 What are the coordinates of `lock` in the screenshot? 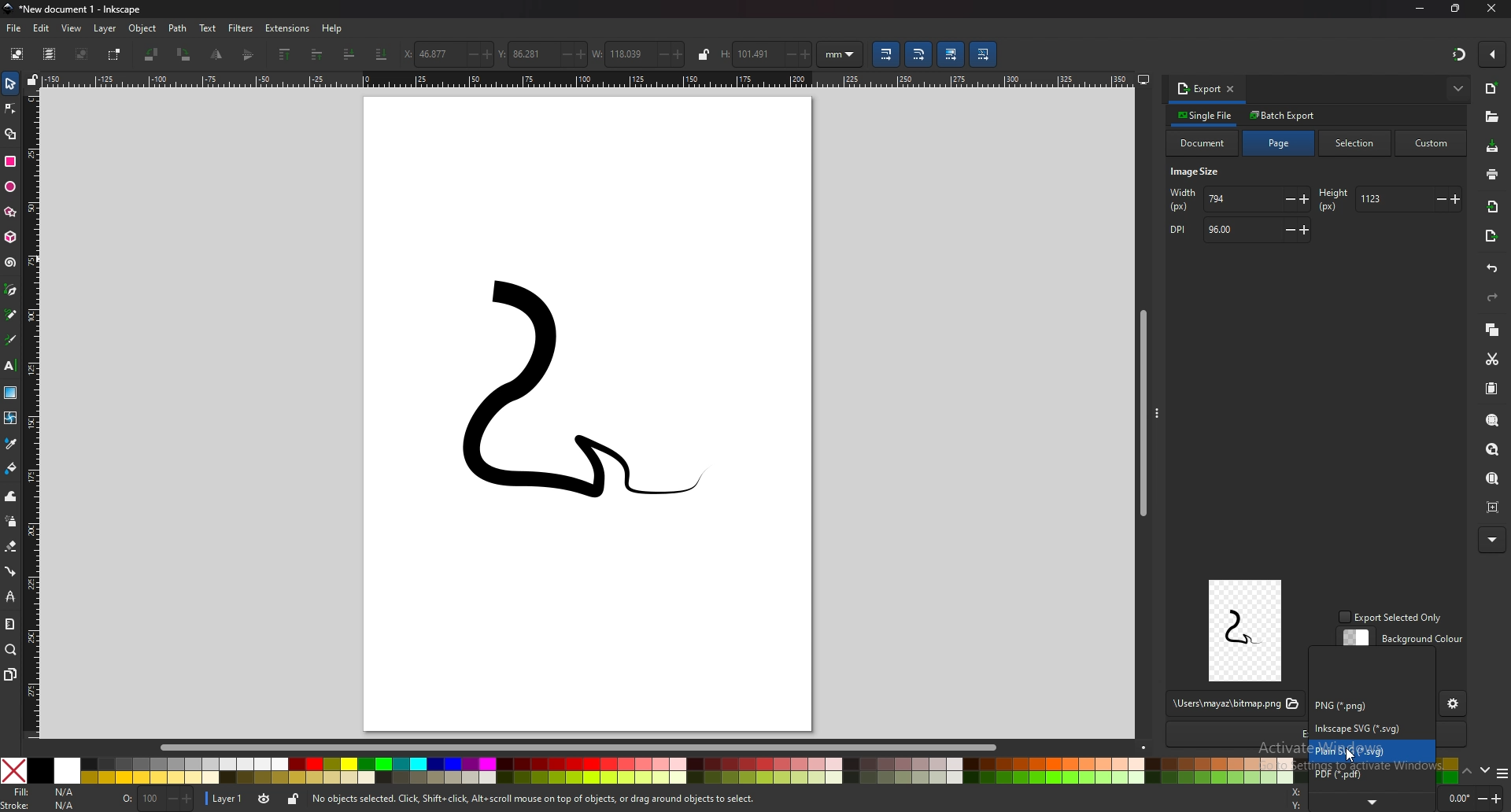 It's located at (293, 799).